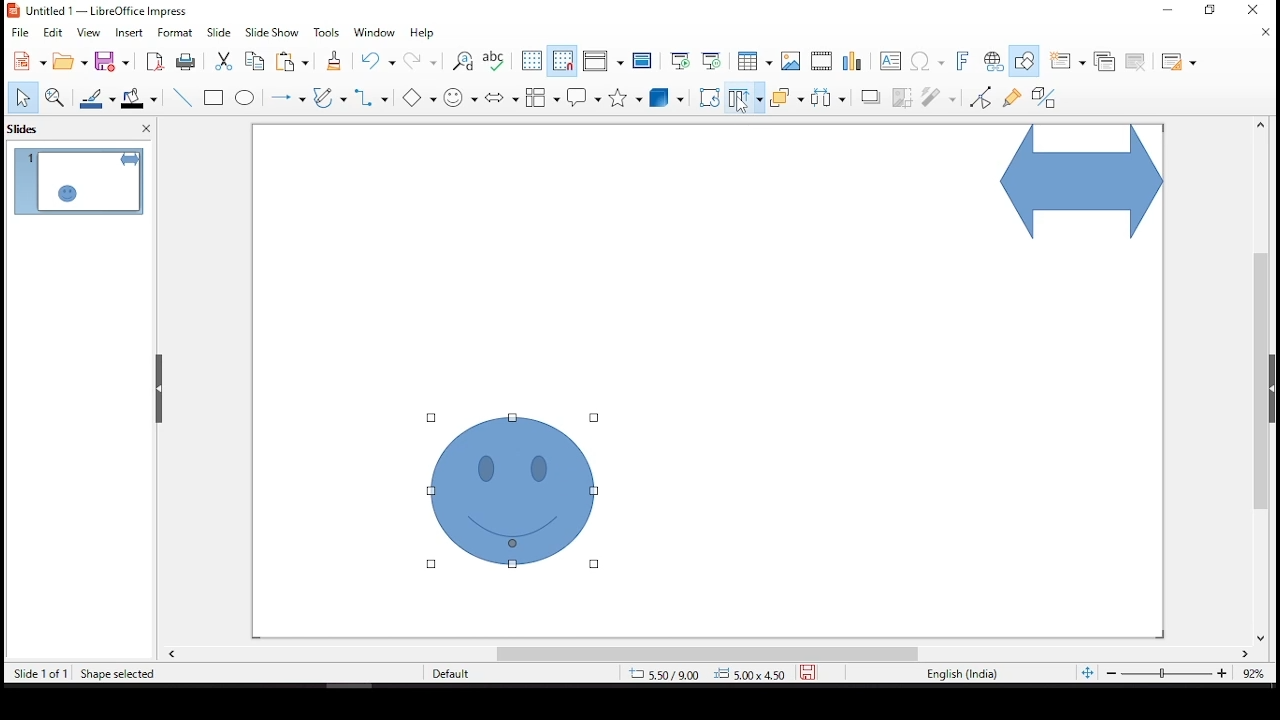 This screenshot has width=1280, height=720. Describe the element at coordinates (153, 61) in the screenshot. I see `export as pdf` at that location.